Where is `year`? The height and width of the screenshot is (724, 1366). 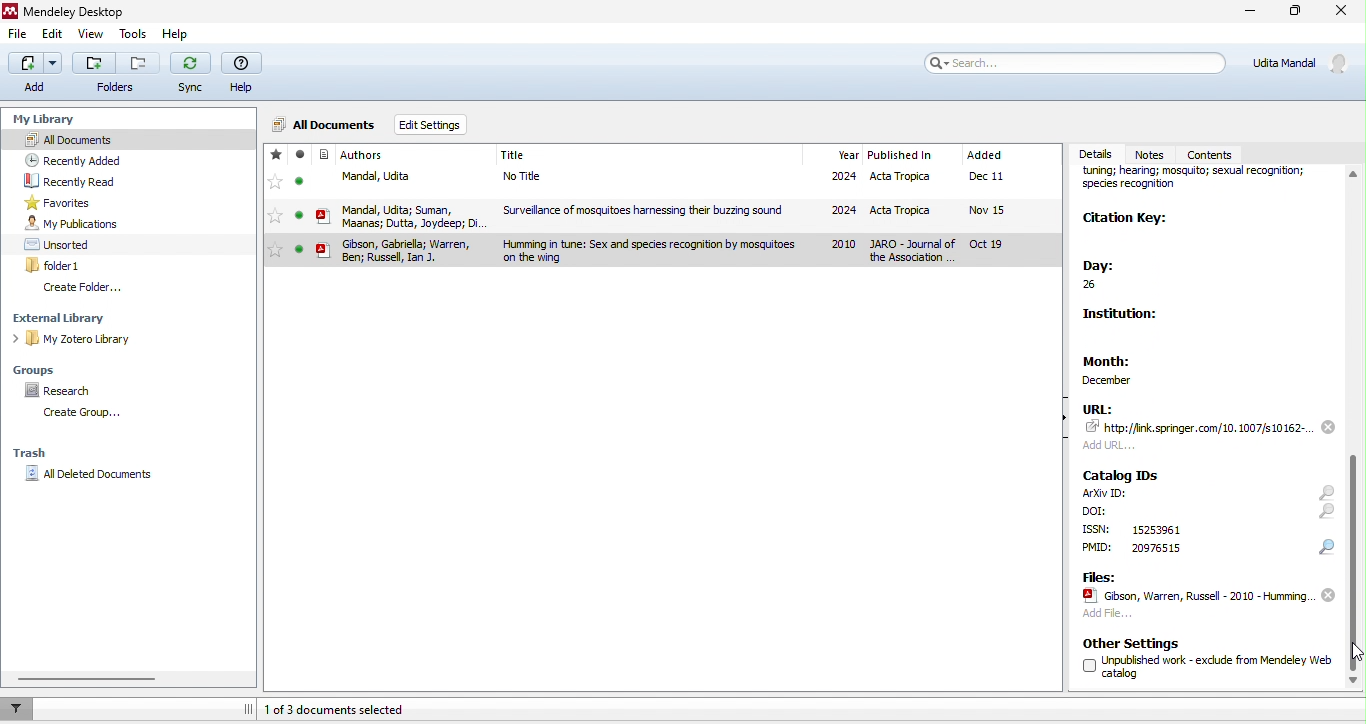
year is located at coordinates (847, 155).